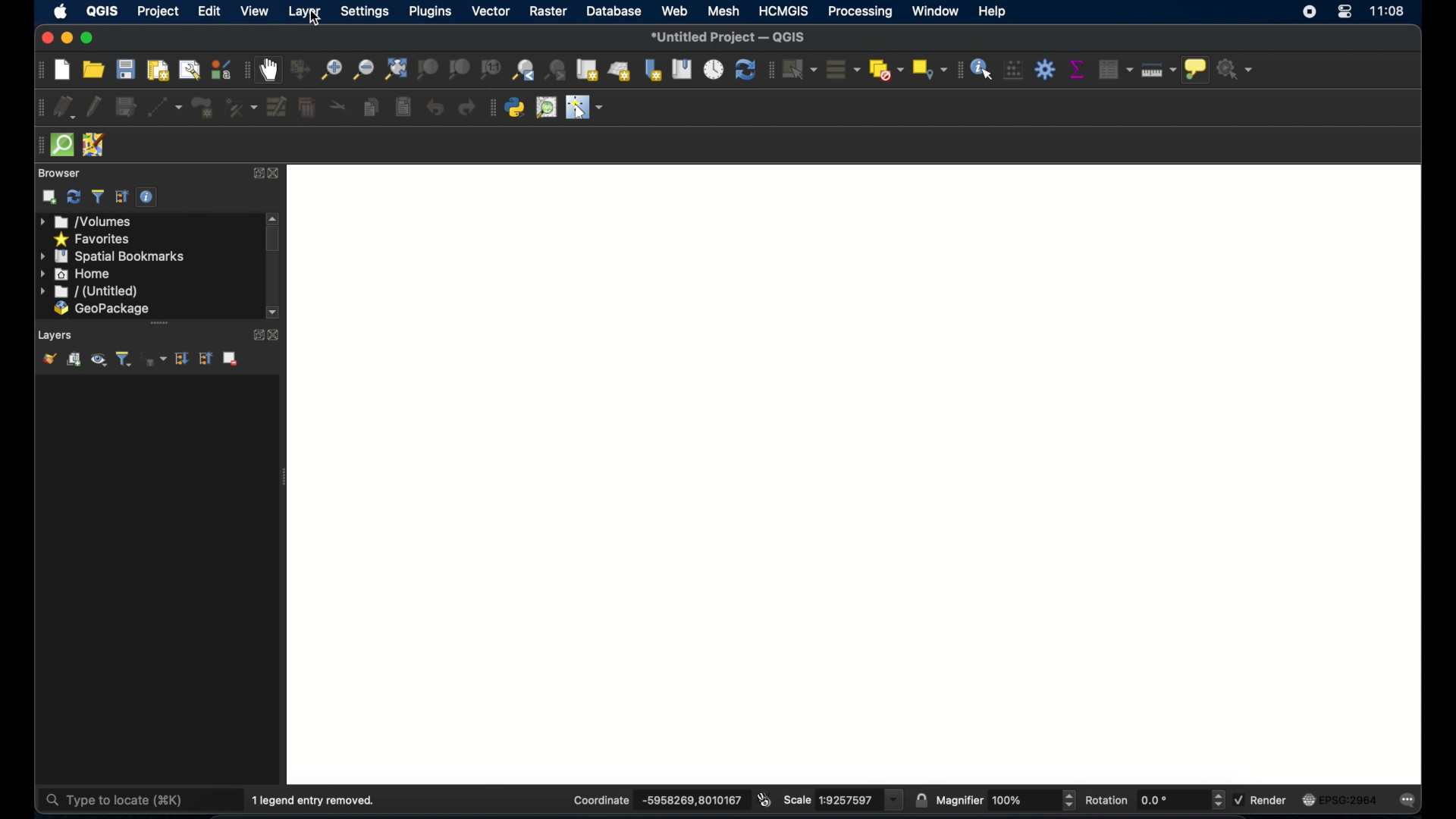 The width and height of the screenshot is (1456, 819). I want to click on selection toolbar, so click(770, 69).